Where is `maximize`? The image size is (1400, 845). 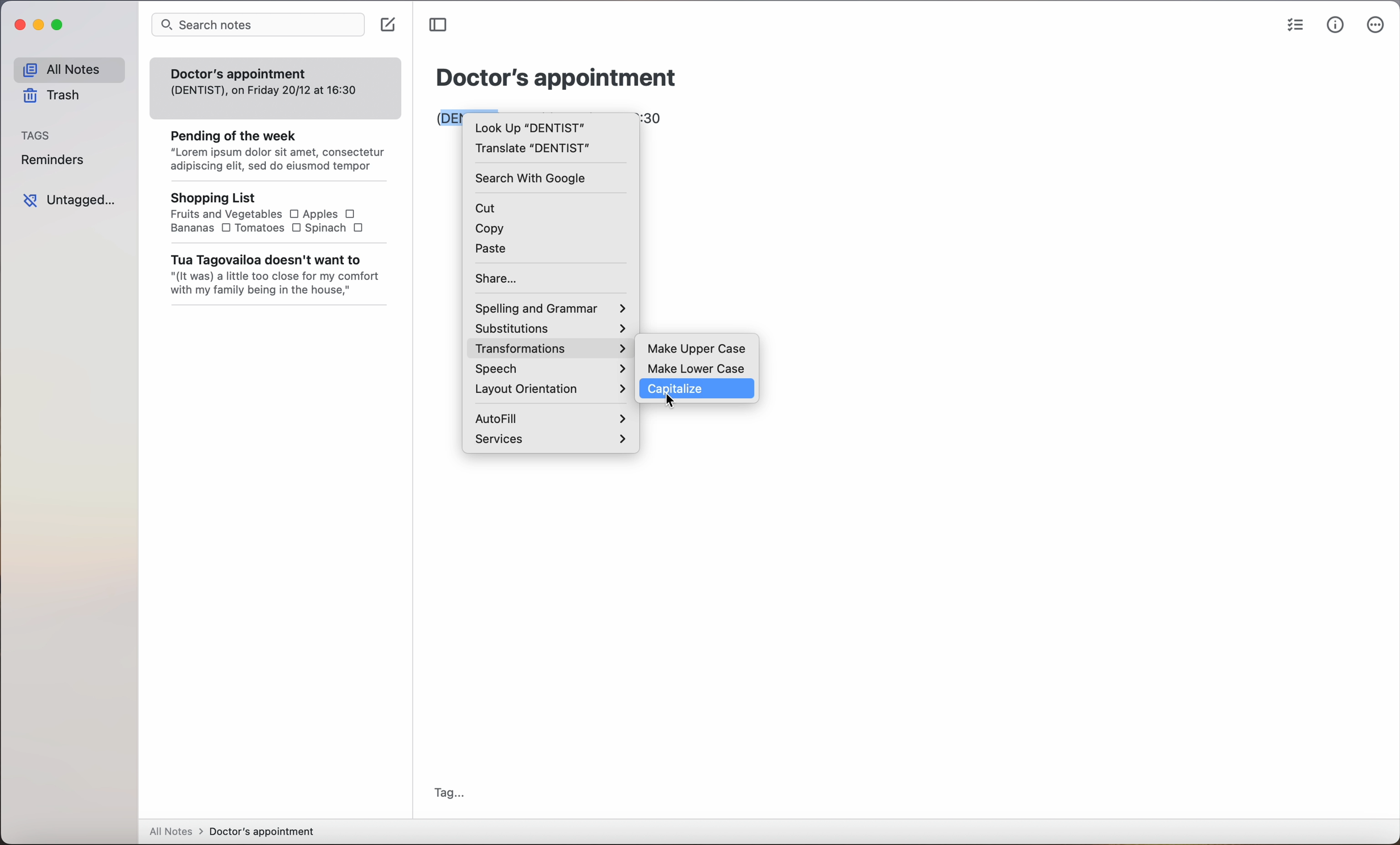
maximize is located at coordinates (60, 26).